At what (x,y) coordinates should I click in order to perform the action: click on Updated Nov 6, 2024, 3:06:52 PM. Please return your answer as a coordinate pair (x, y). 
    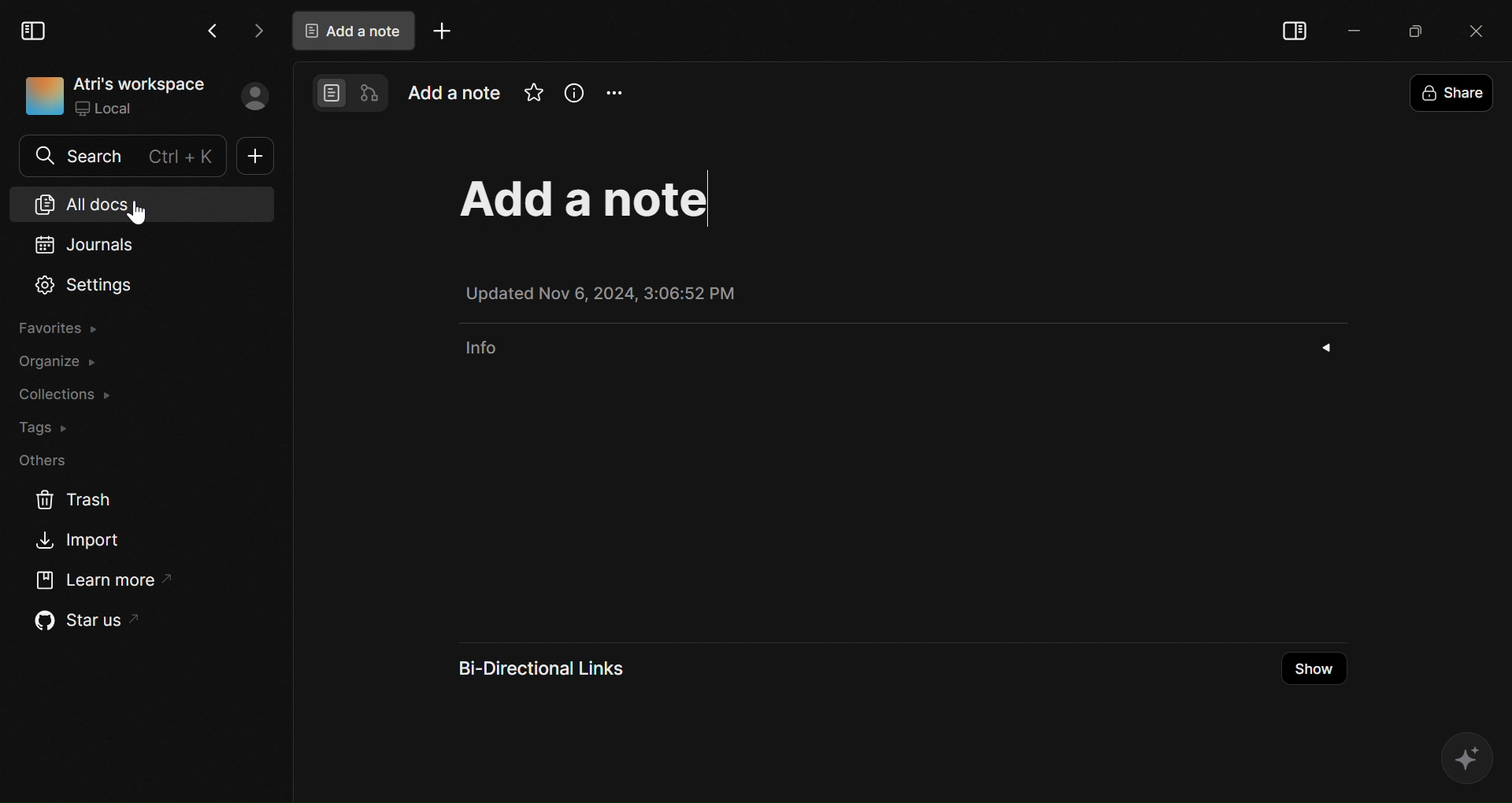
    Looking at the image, I should click on (600, 292).